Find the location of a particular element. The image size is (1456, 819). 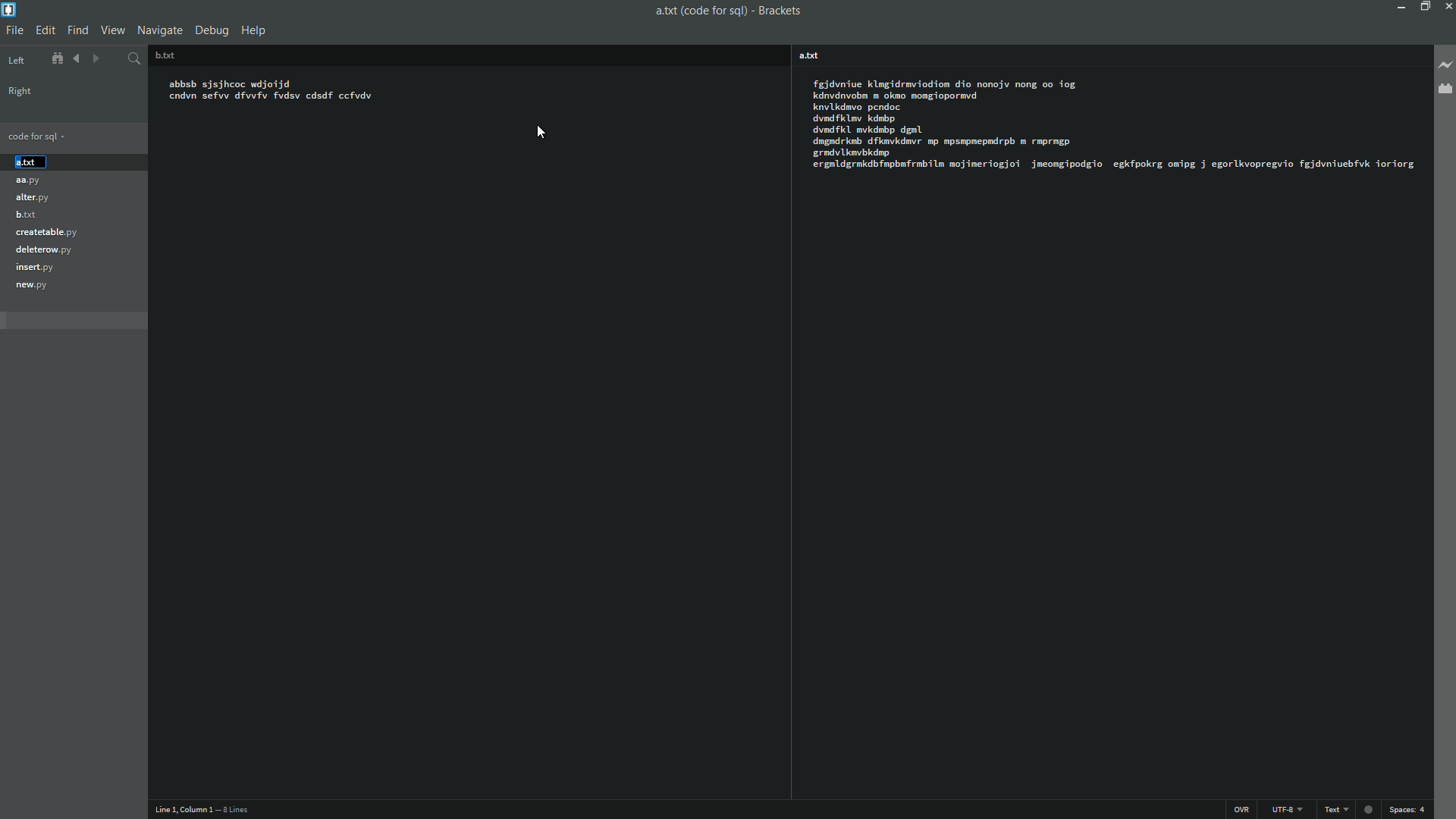

Project name is located at coordinates (36, 58).